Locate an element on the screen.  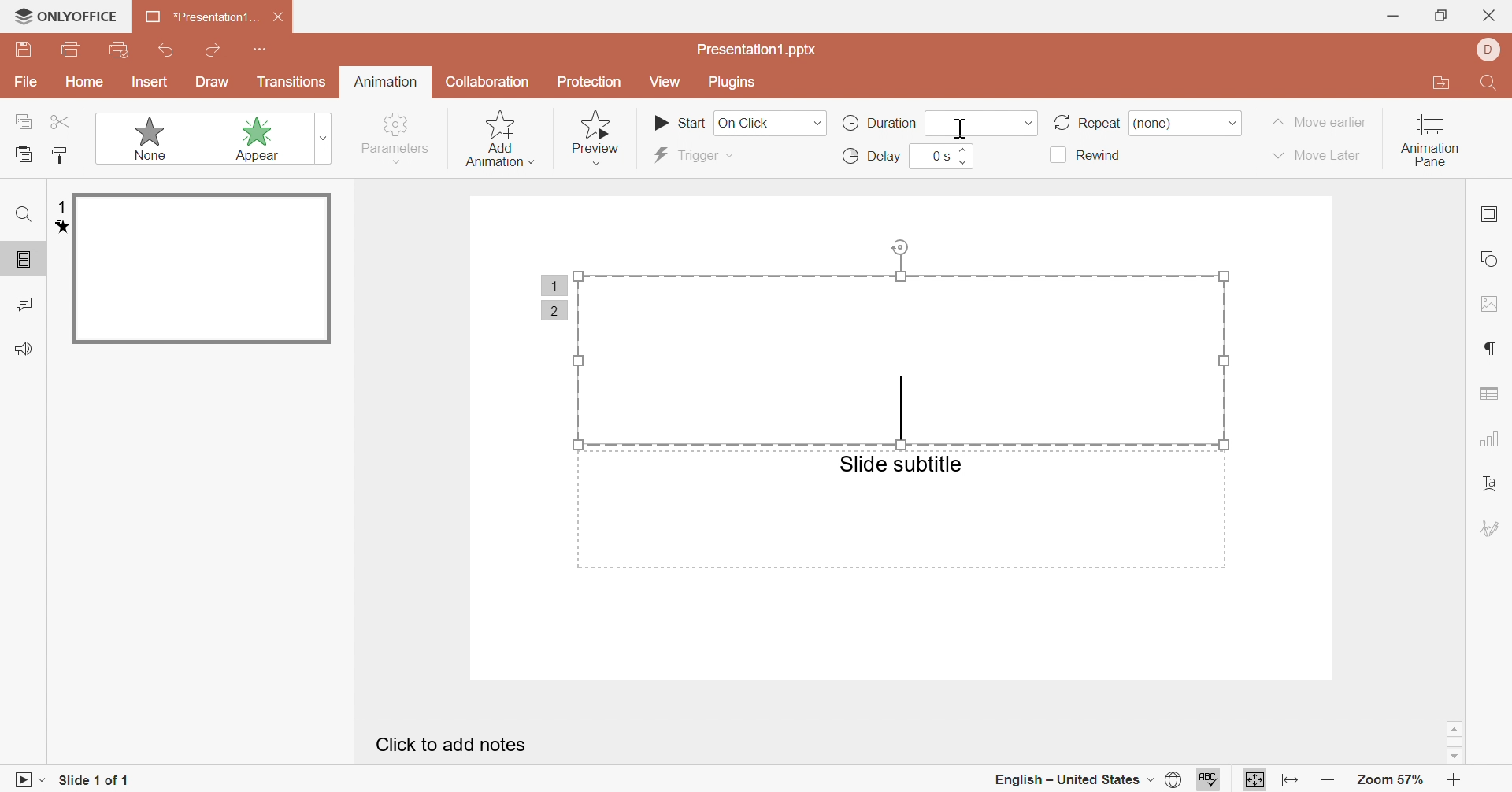
shape settings is located at coordinates (1488, 257).